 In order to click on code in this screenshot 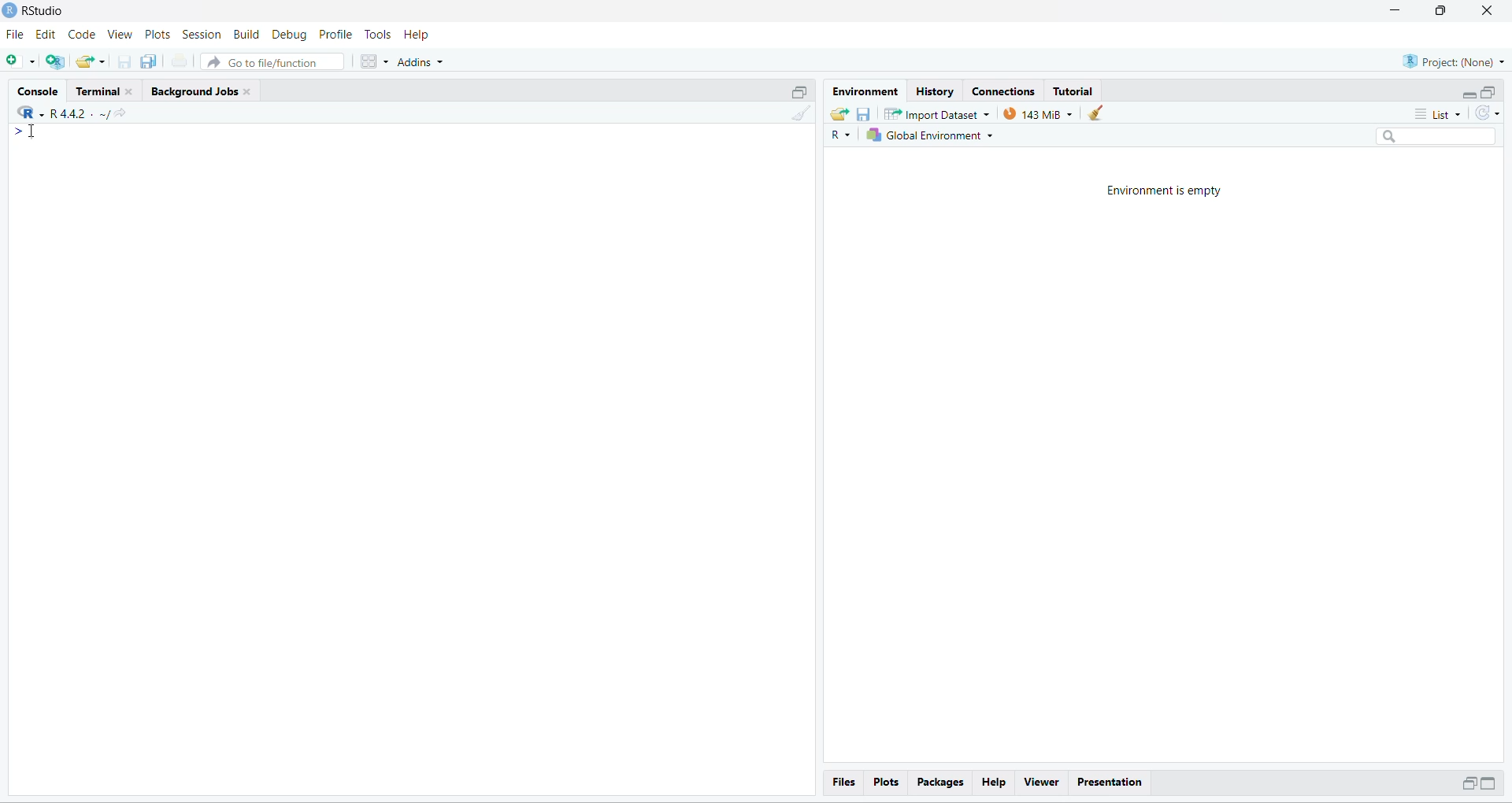, I will do `click(83, 35)`.